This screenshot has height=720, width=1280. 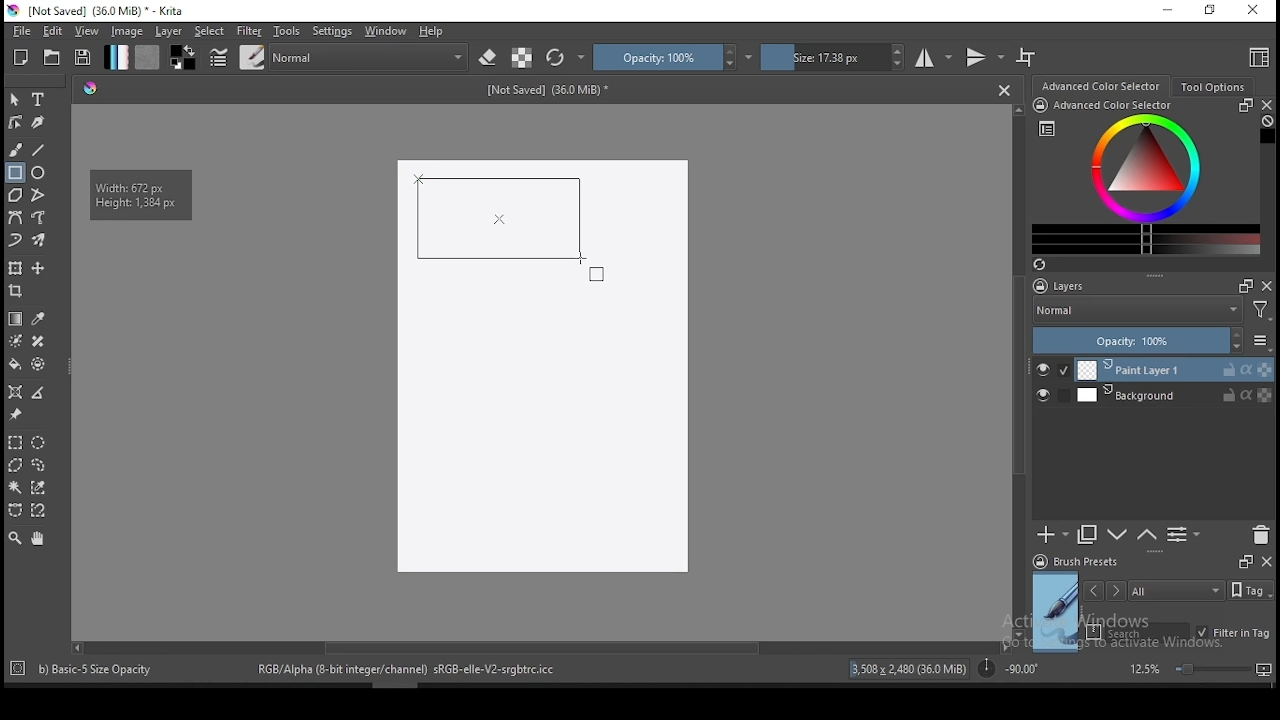 What do you see at coordinates (1261, 313) in the screenshot?
I see `Filter` at bounding box center [1261, 313].